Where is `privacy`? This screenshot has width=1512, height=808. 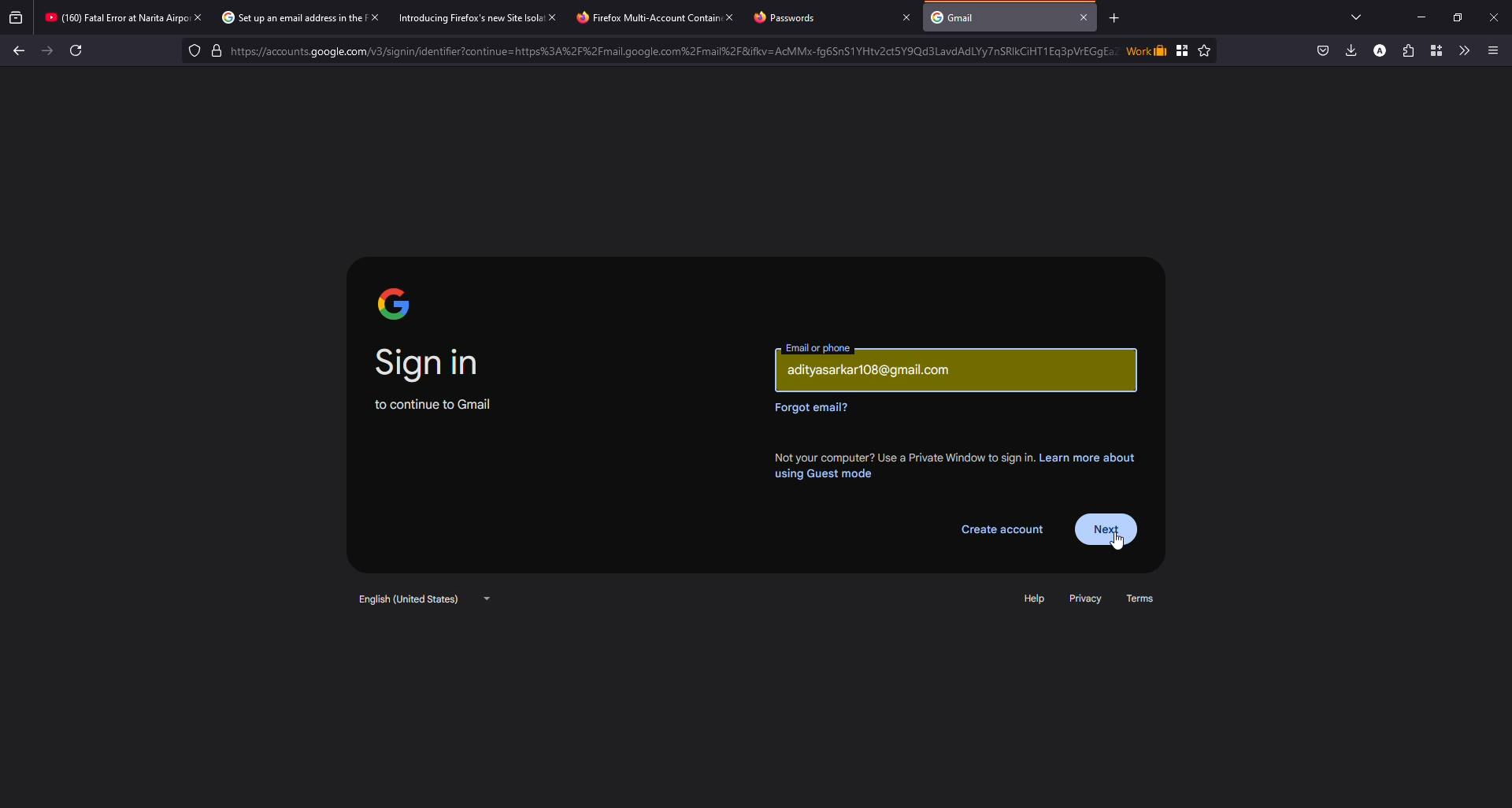 privacy is located at coordinates (1087, 599).